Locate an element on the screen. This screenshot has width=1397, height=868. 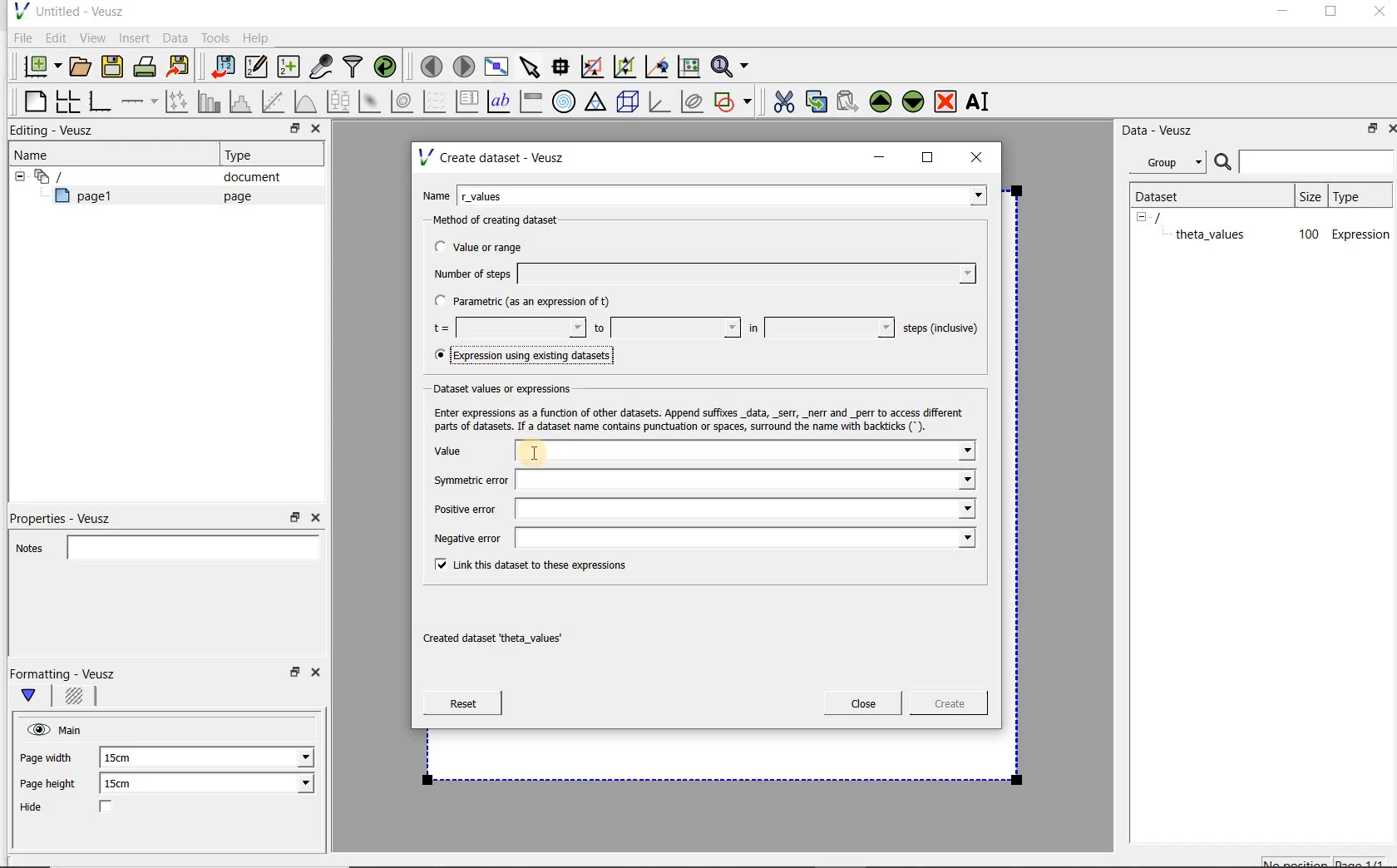
copy the selected widget is located at coordinates (817, 101).